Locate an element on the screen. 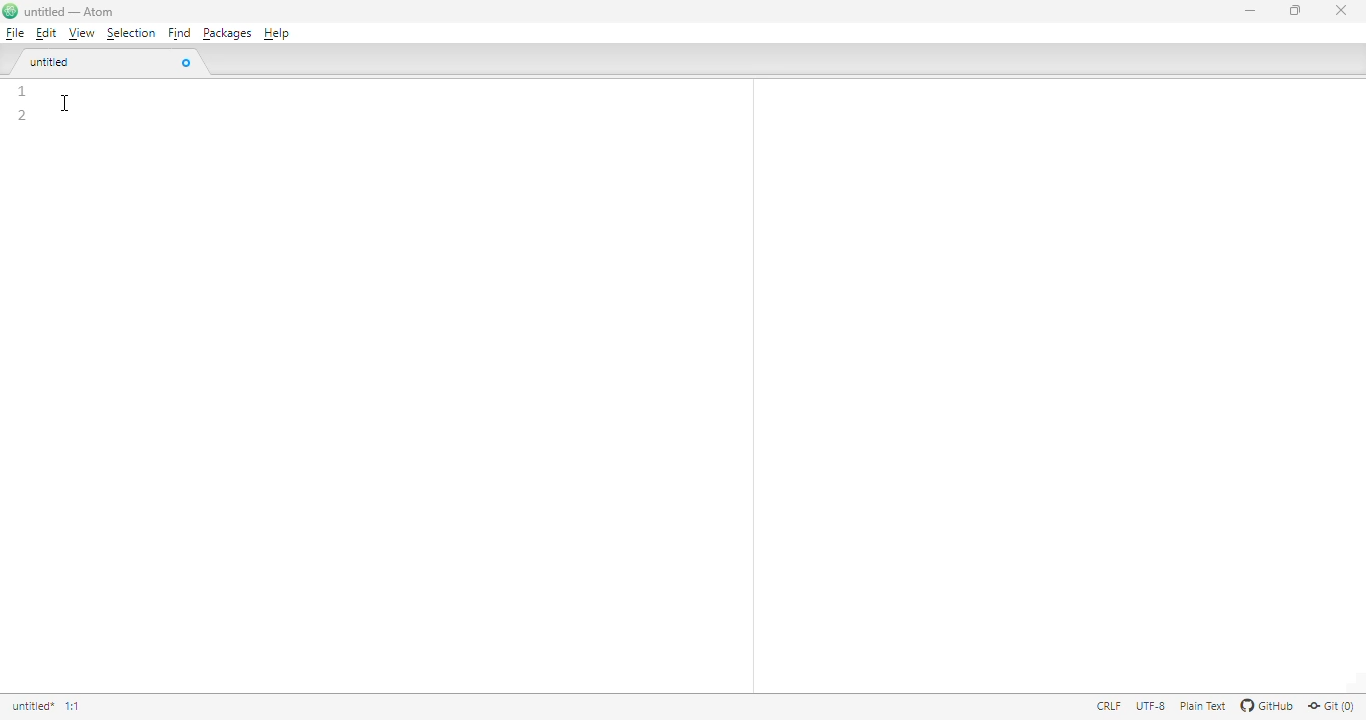 This screenshot has height=720, width=1366. find is located at coordinates (179, 33).